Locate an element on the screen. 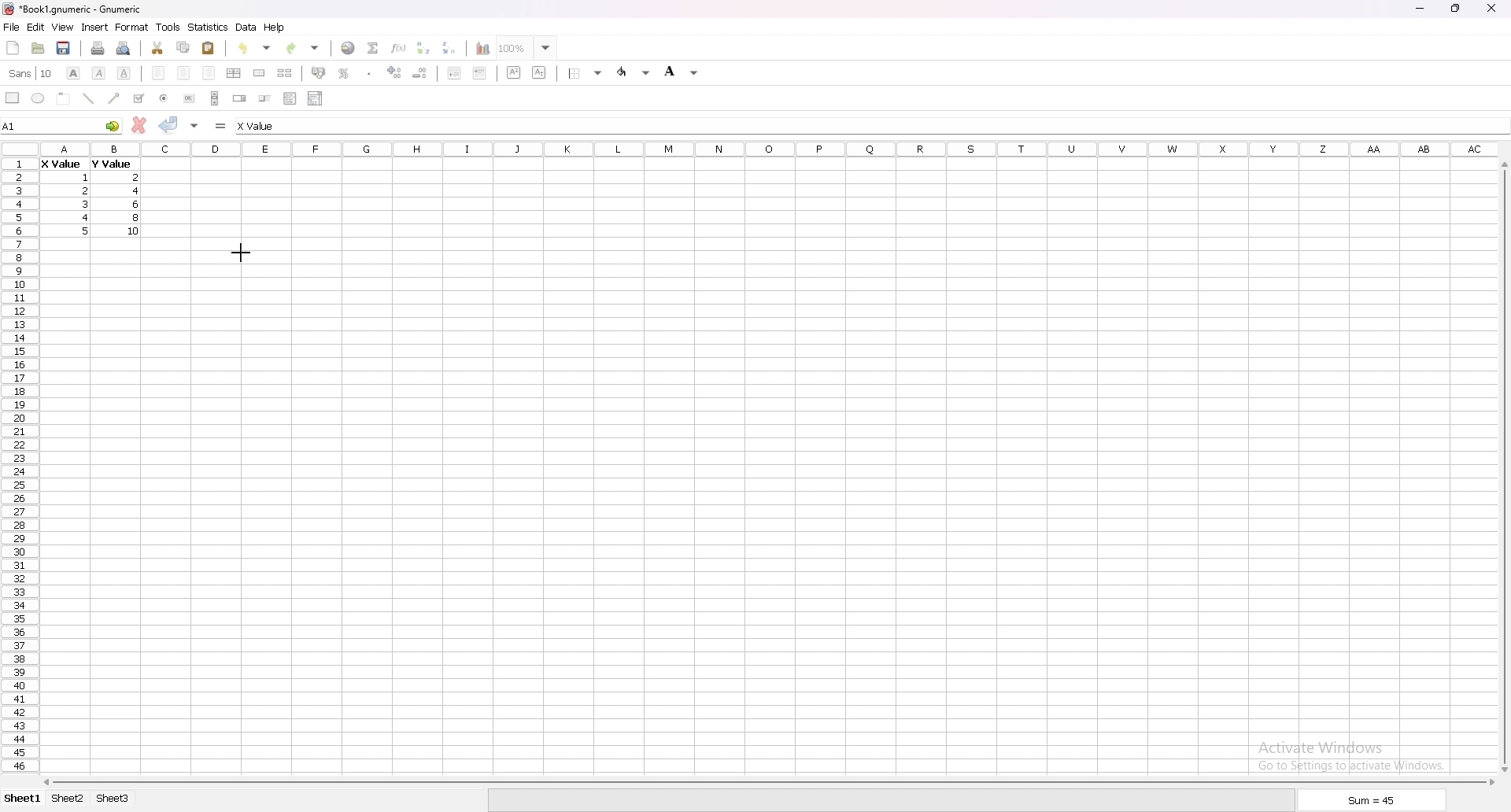 This screenshot has height=812, width=1511. value is located at coordinates (110, 164).